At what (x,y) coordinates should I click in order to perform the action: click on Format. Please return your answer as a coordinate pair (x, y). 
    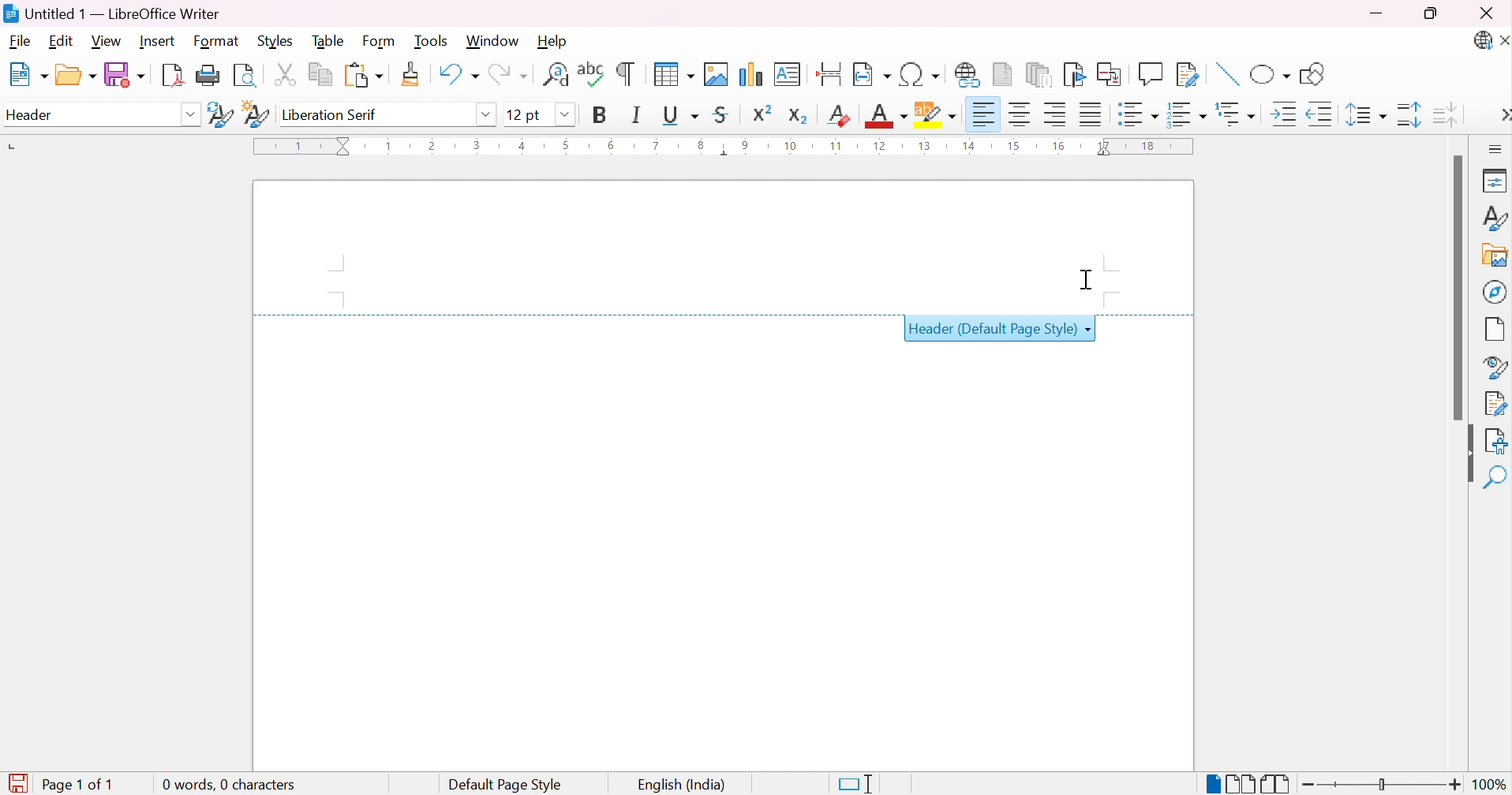
    Looking at the image, I should click on (215, 42).